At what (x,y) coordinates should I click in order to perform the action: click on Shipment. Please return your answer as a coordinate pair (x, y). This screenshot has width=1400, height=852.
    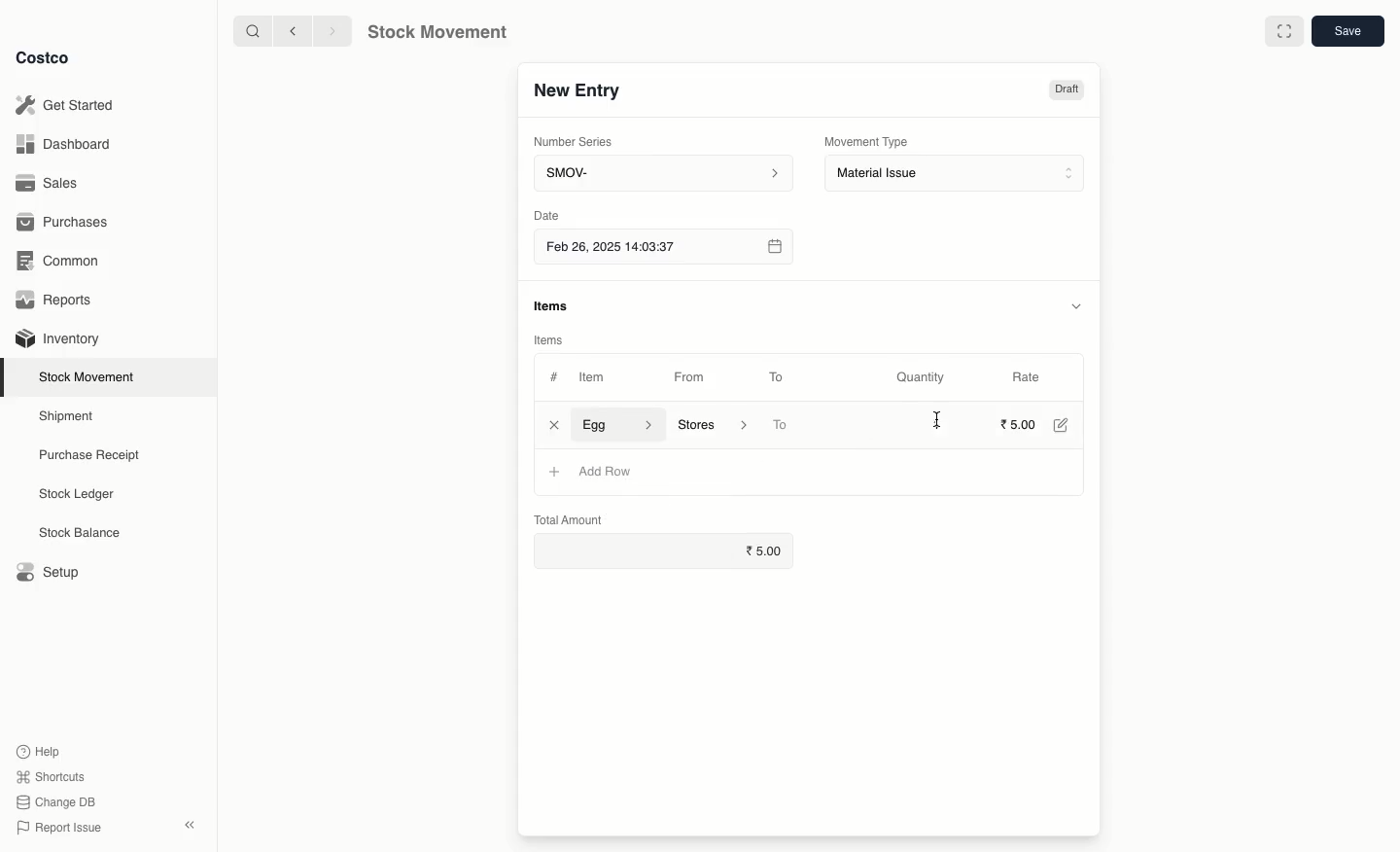
    Looking at the image, I should click on (67, 417).